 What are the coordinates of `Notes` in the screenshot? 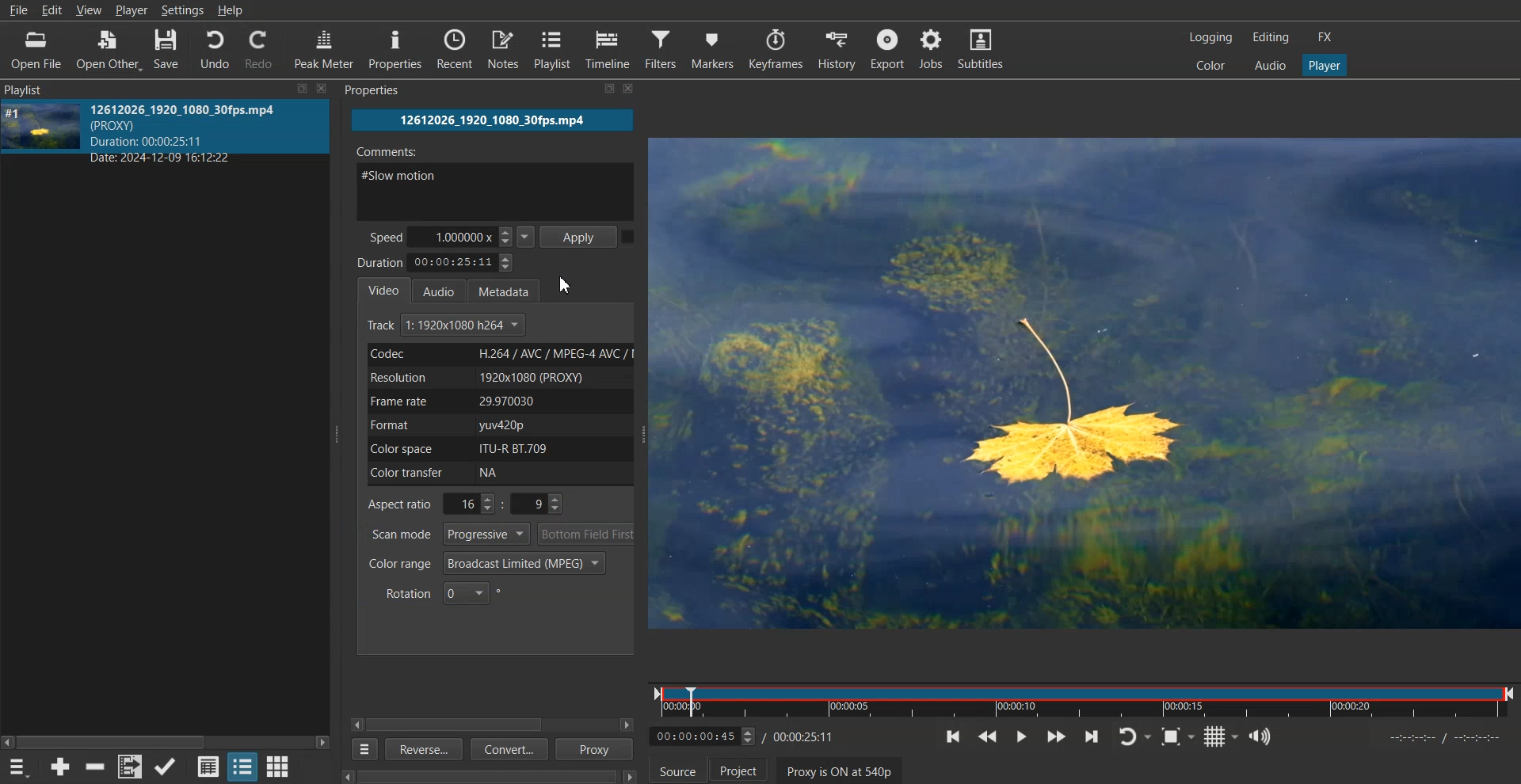 It's located at (503, 49).